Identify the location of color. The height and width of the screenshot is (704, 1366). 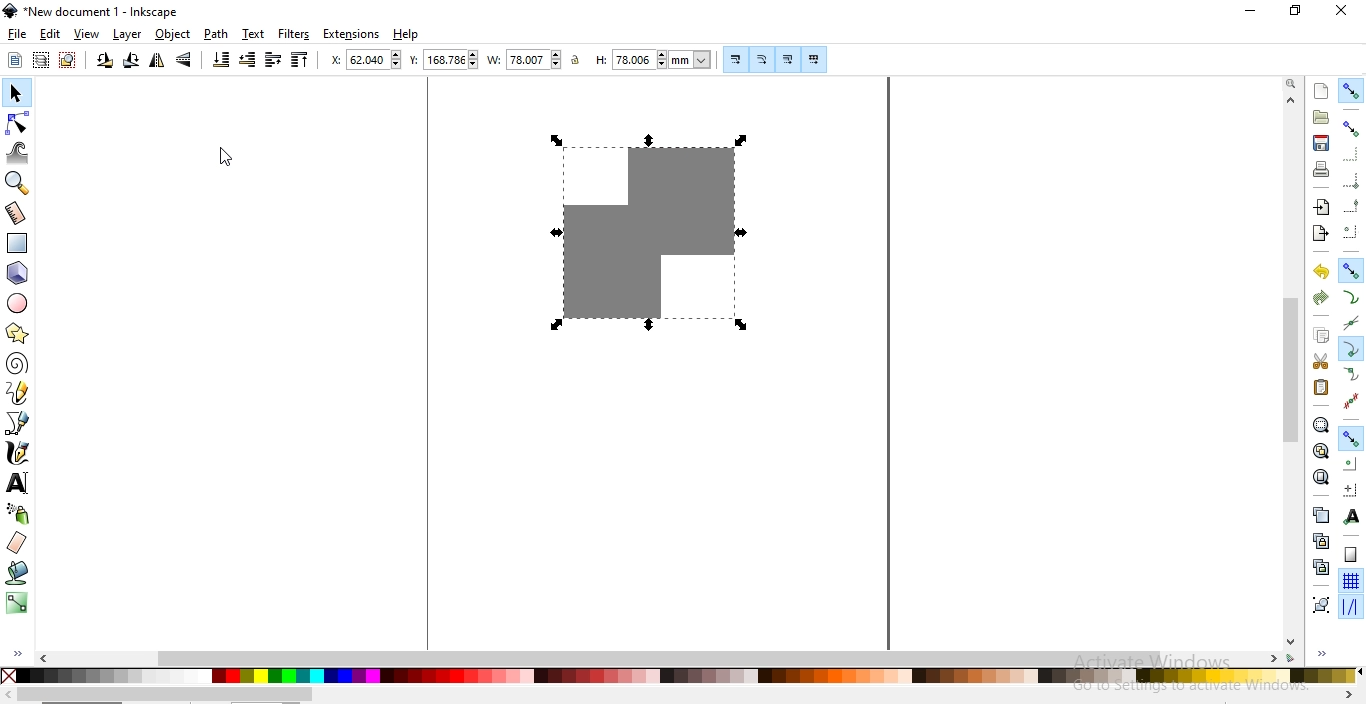
(679, 675).